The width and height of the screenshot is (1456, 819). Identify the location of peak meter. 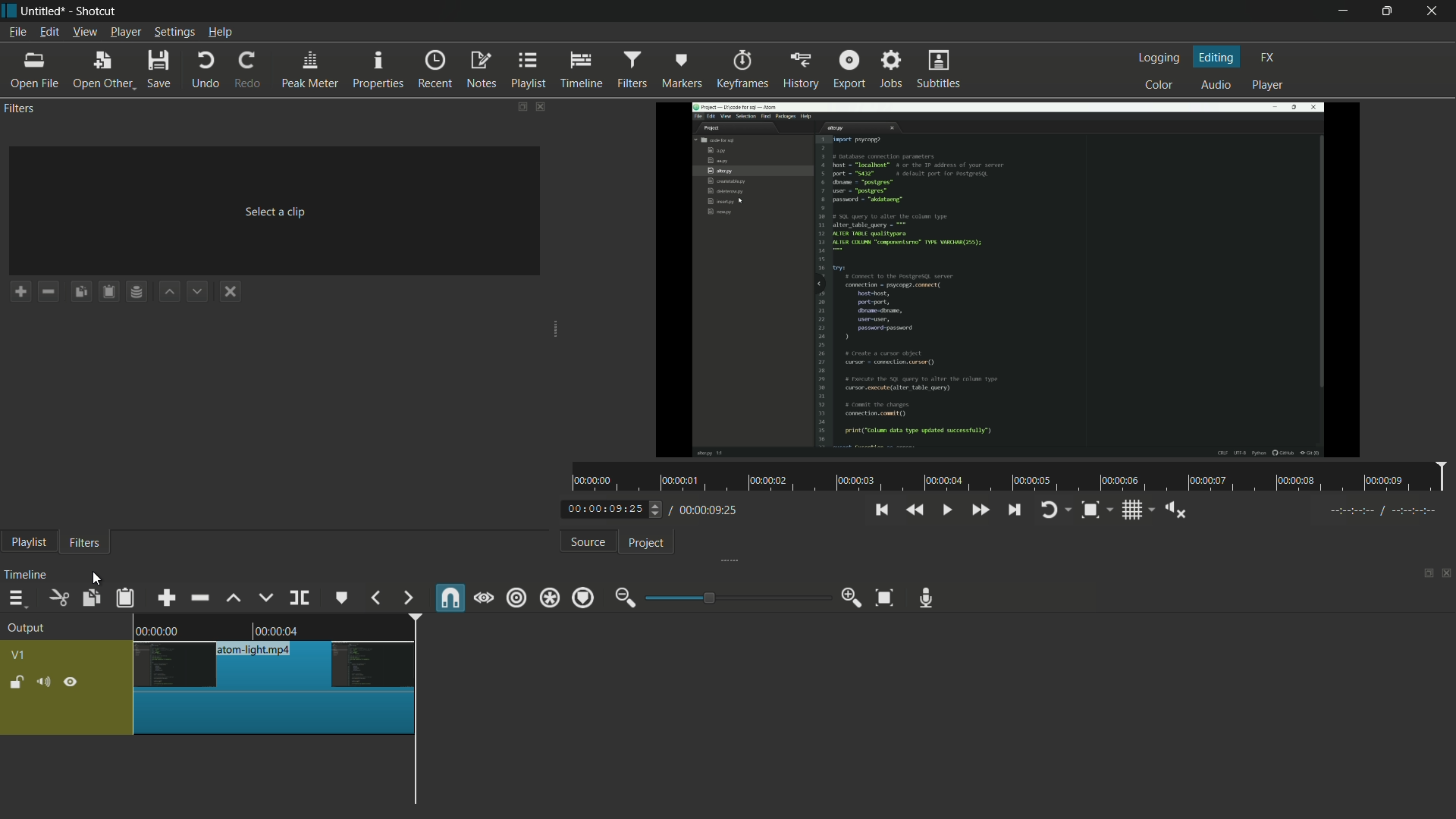
(310, 71).